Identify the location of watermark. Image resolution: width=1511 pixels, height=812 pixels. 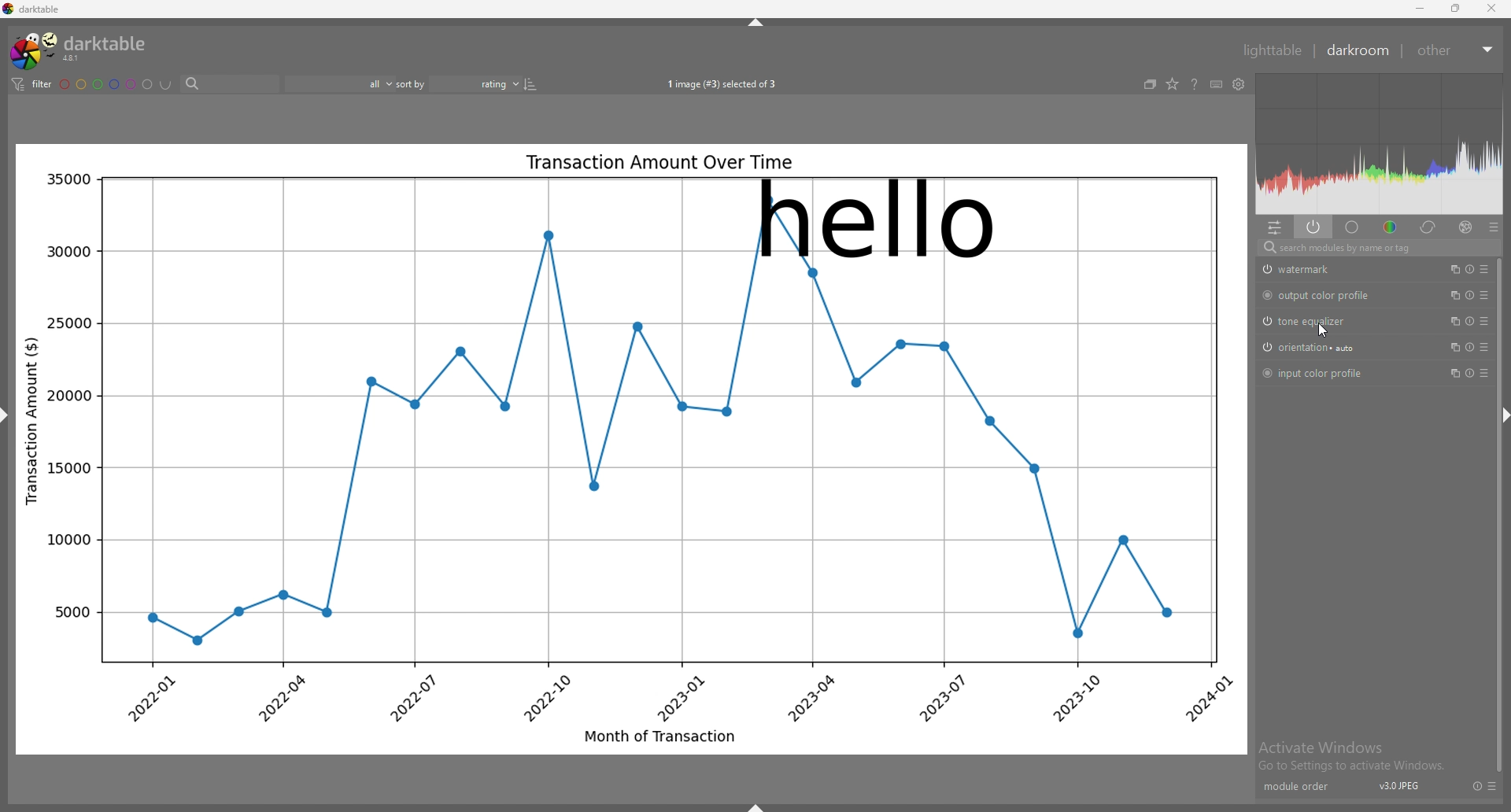
(1317, 270).